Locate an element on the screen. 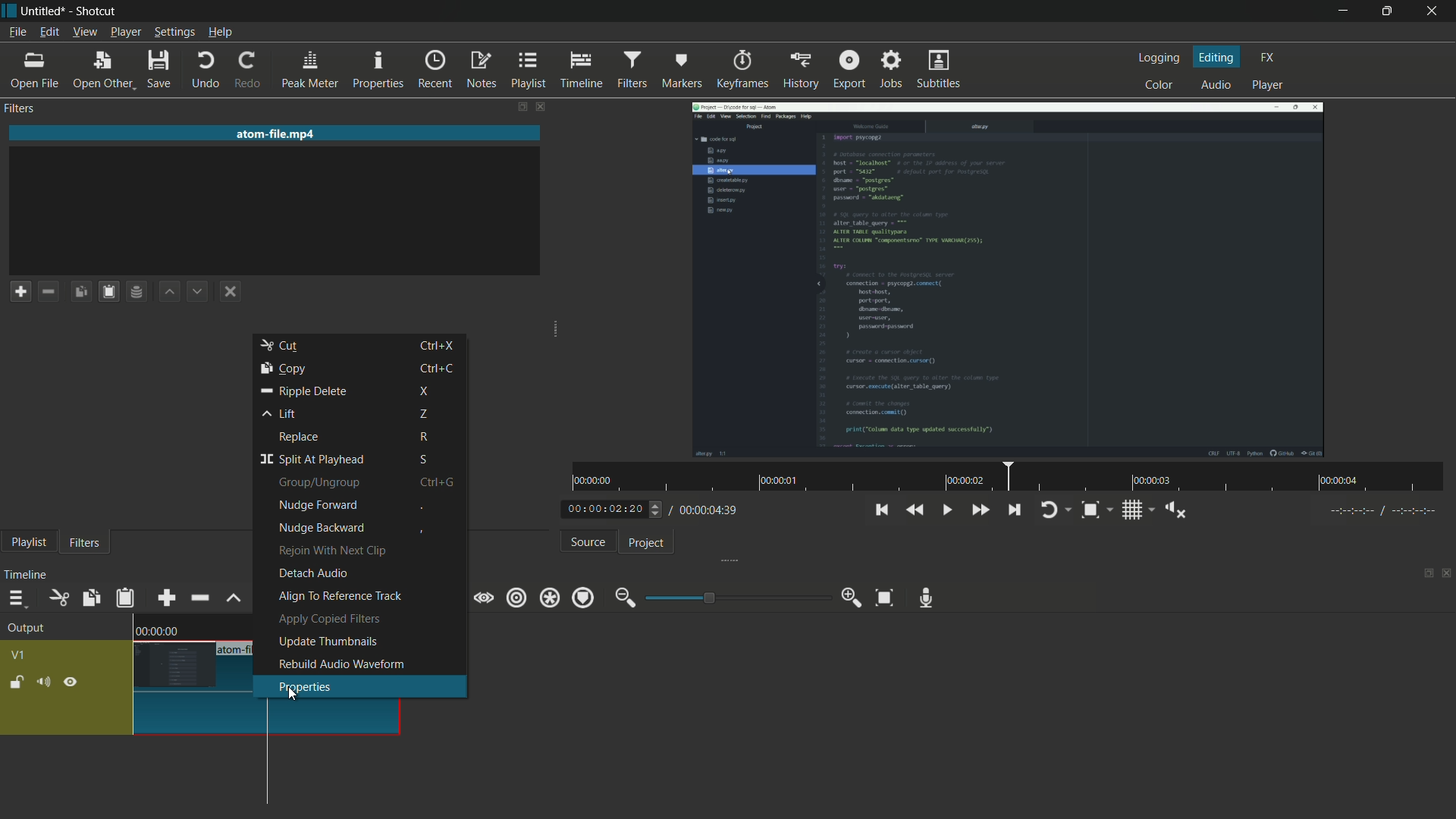 This screenshot has width=1456, height=819. ripple markers is located at coordinates (585, 598).